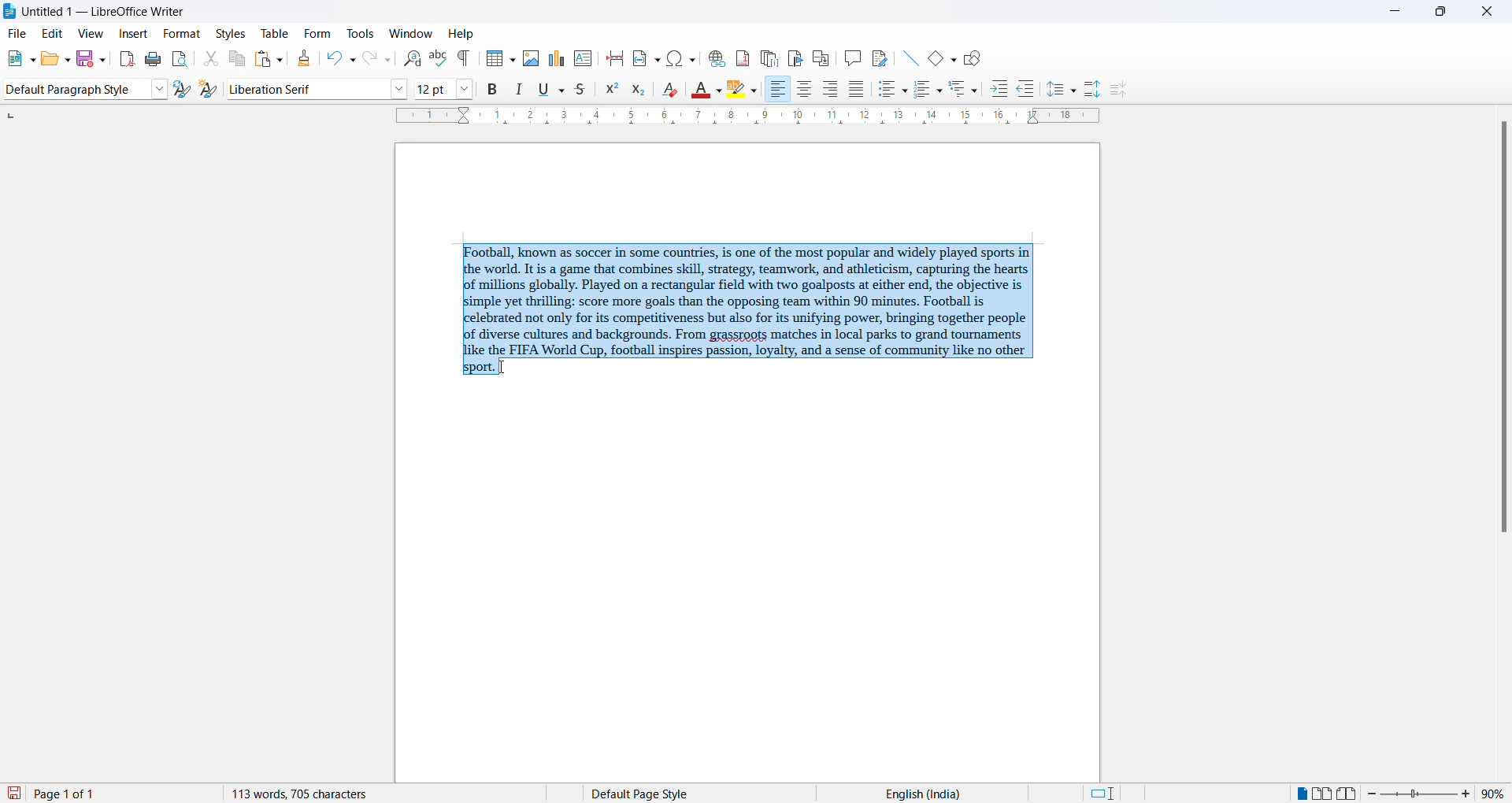 The image size is (1512, 803). I want to click on text align right, so click(780, 90).